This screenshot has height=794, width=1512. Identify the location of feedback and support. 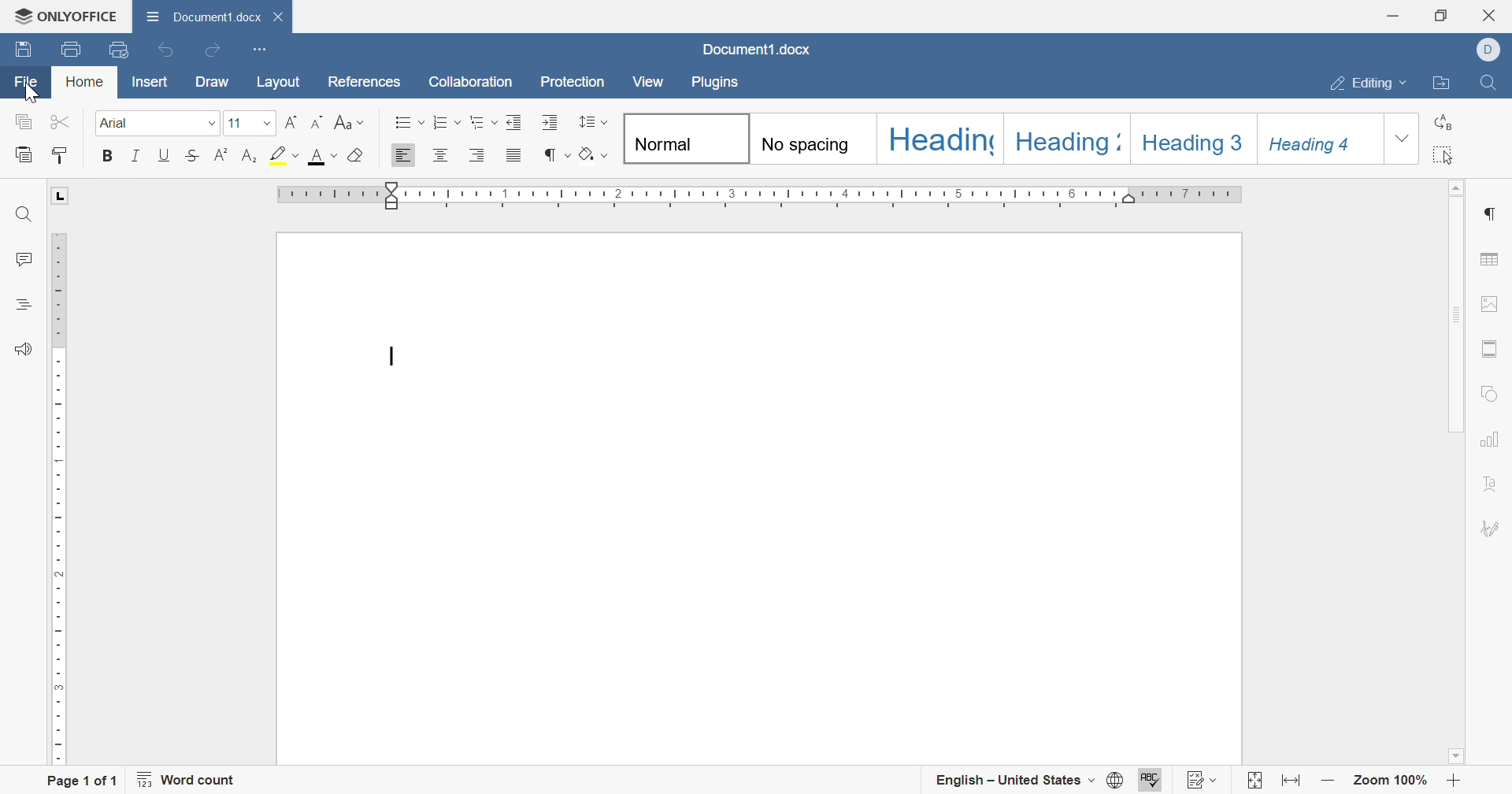
(28, 350).